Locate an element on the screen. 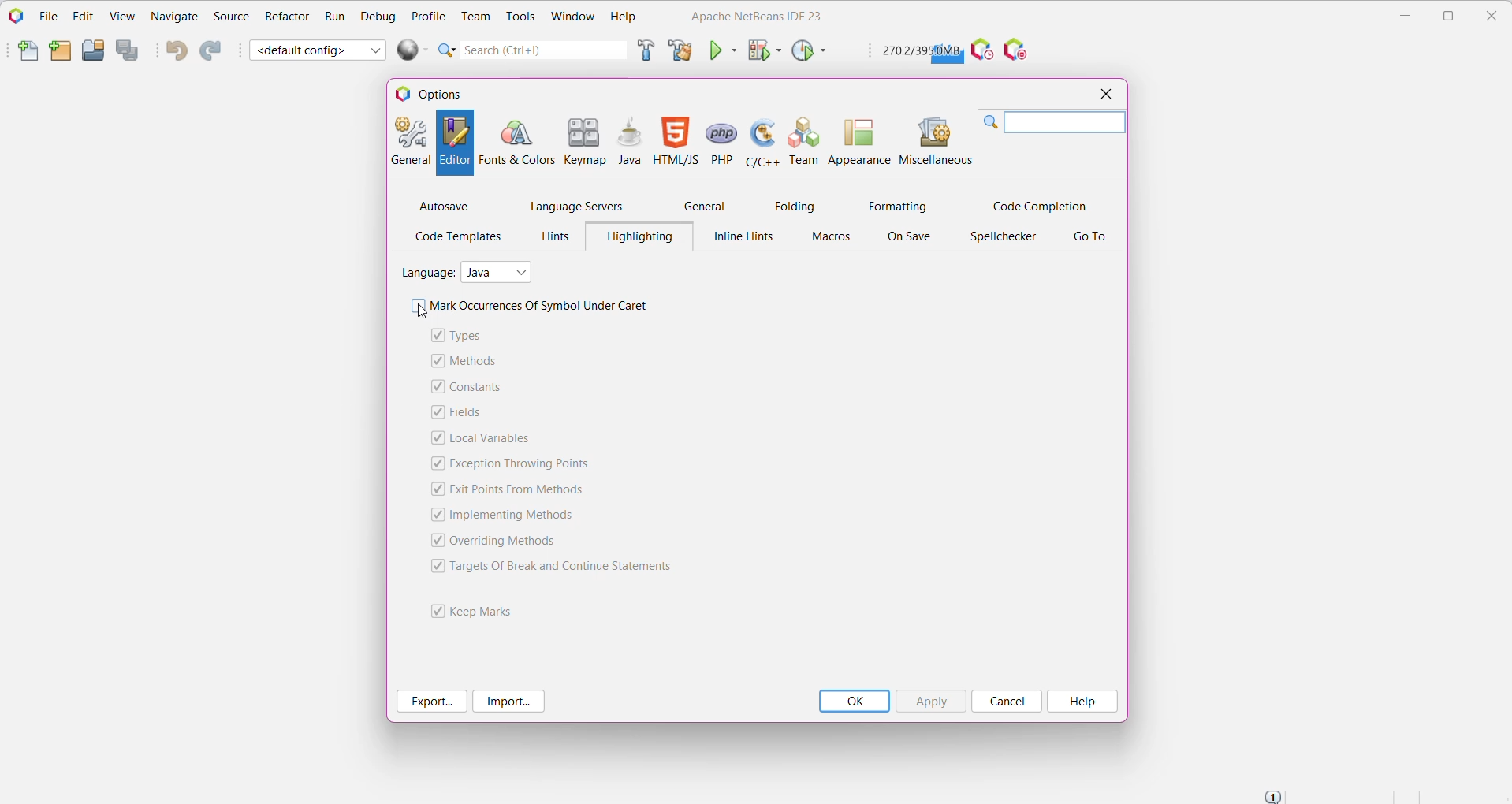 This screenshot has width=1512, height=804. Redo is located at coordinates (214, 50).